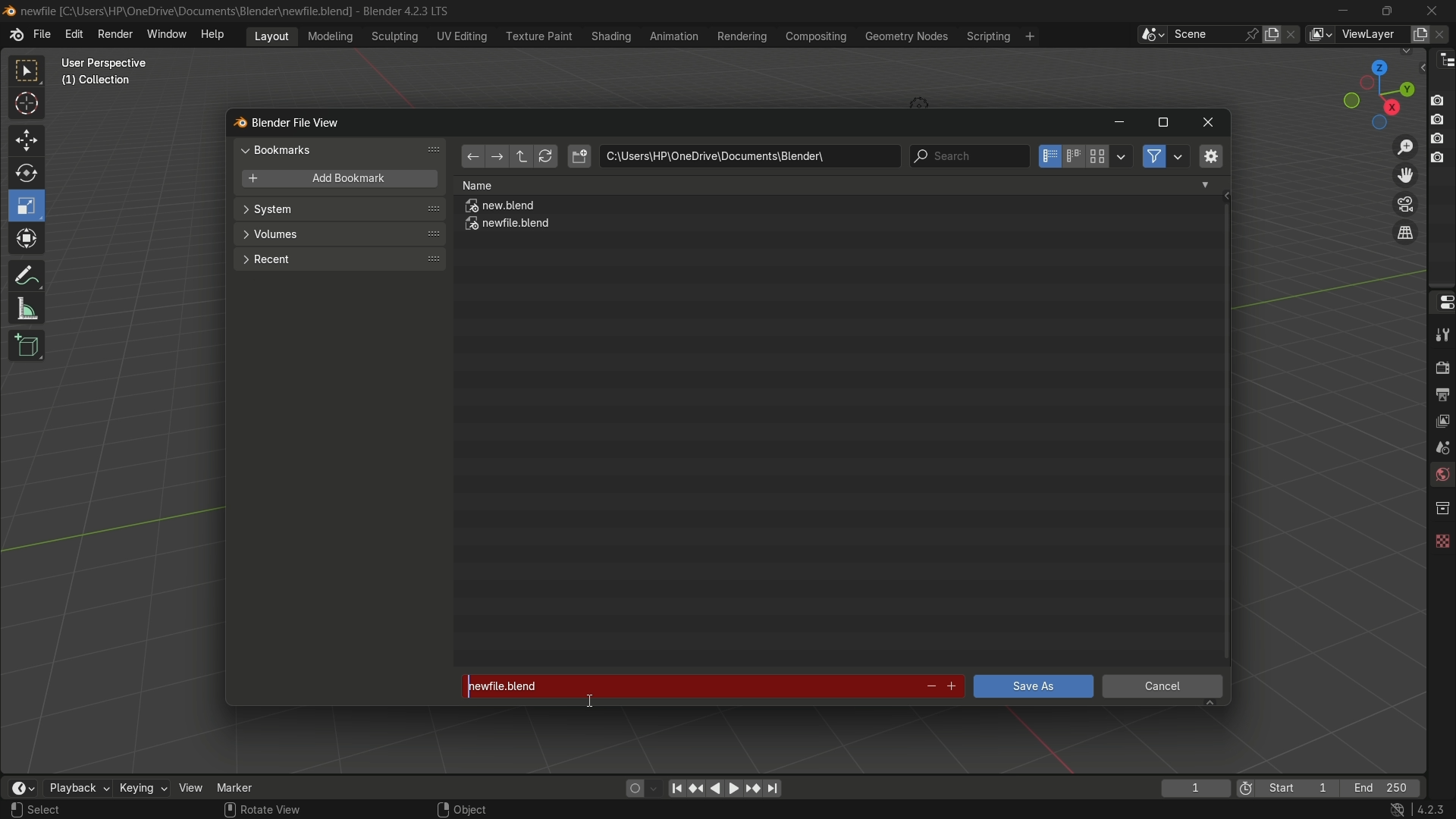  I want to click on Select, so click(63, 810).